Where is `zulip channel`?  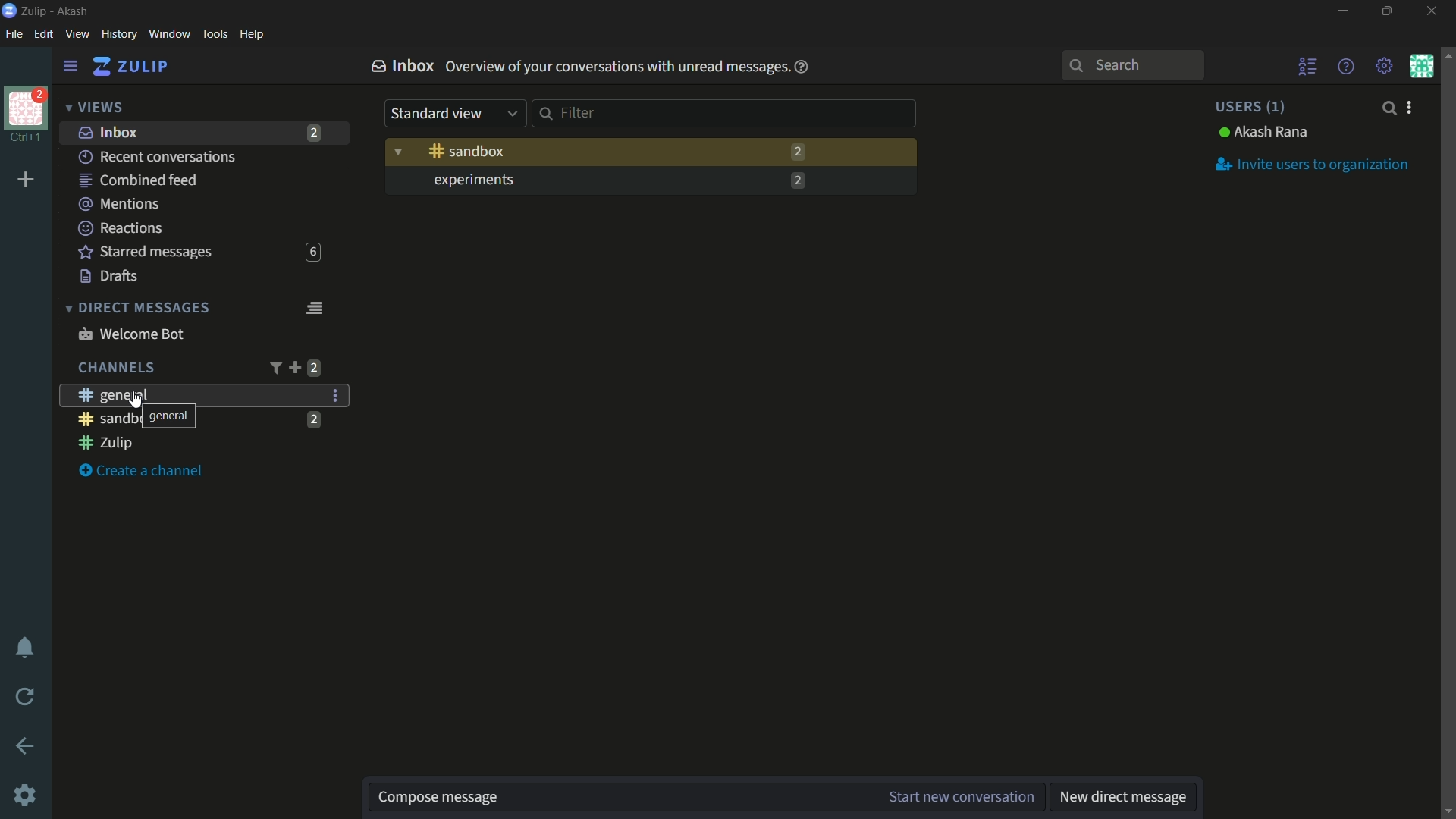
zulip channel is located at coordinates (105, 444).